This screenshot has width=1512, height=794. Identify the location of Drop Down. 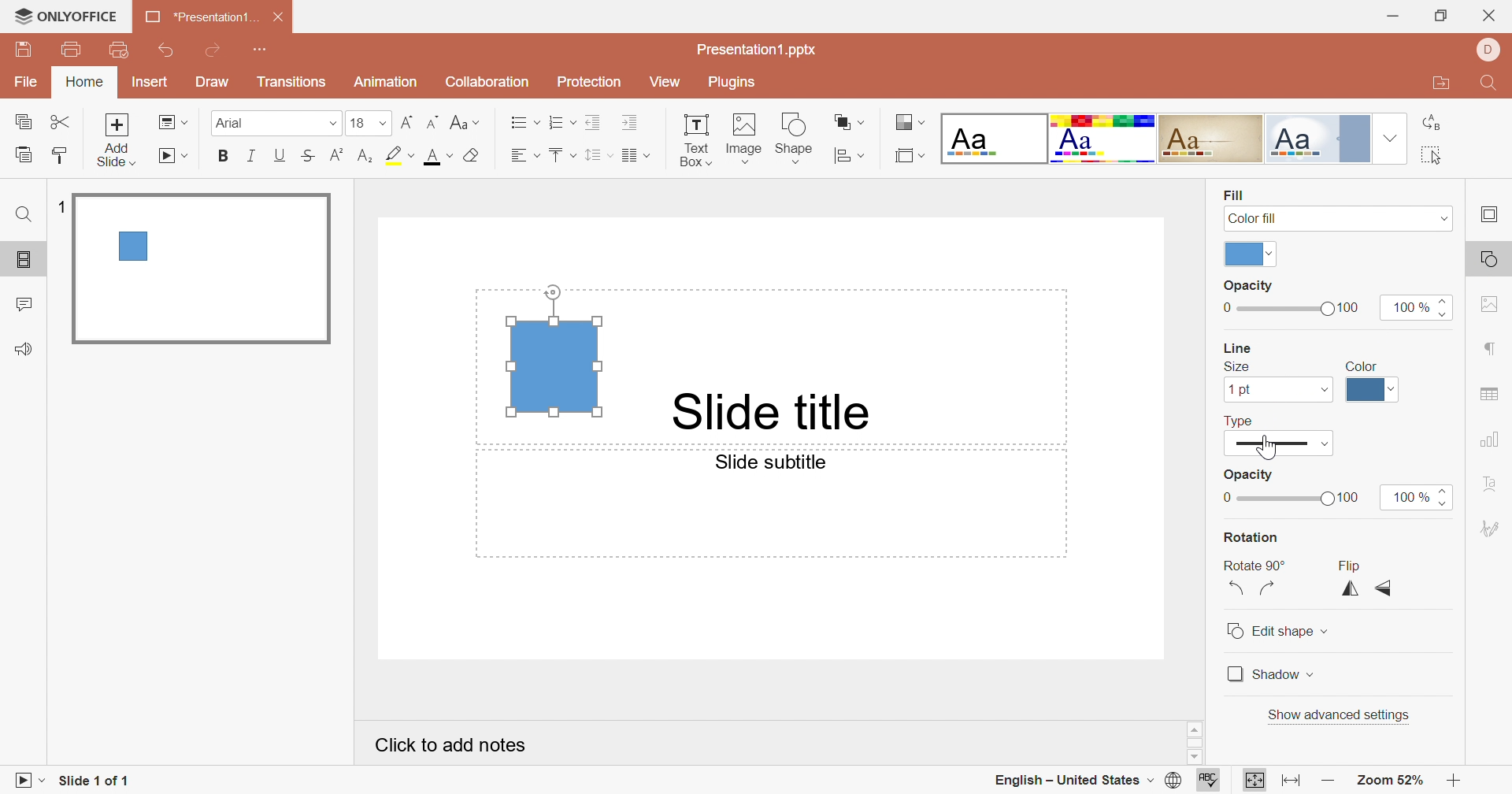
(1313, 675).